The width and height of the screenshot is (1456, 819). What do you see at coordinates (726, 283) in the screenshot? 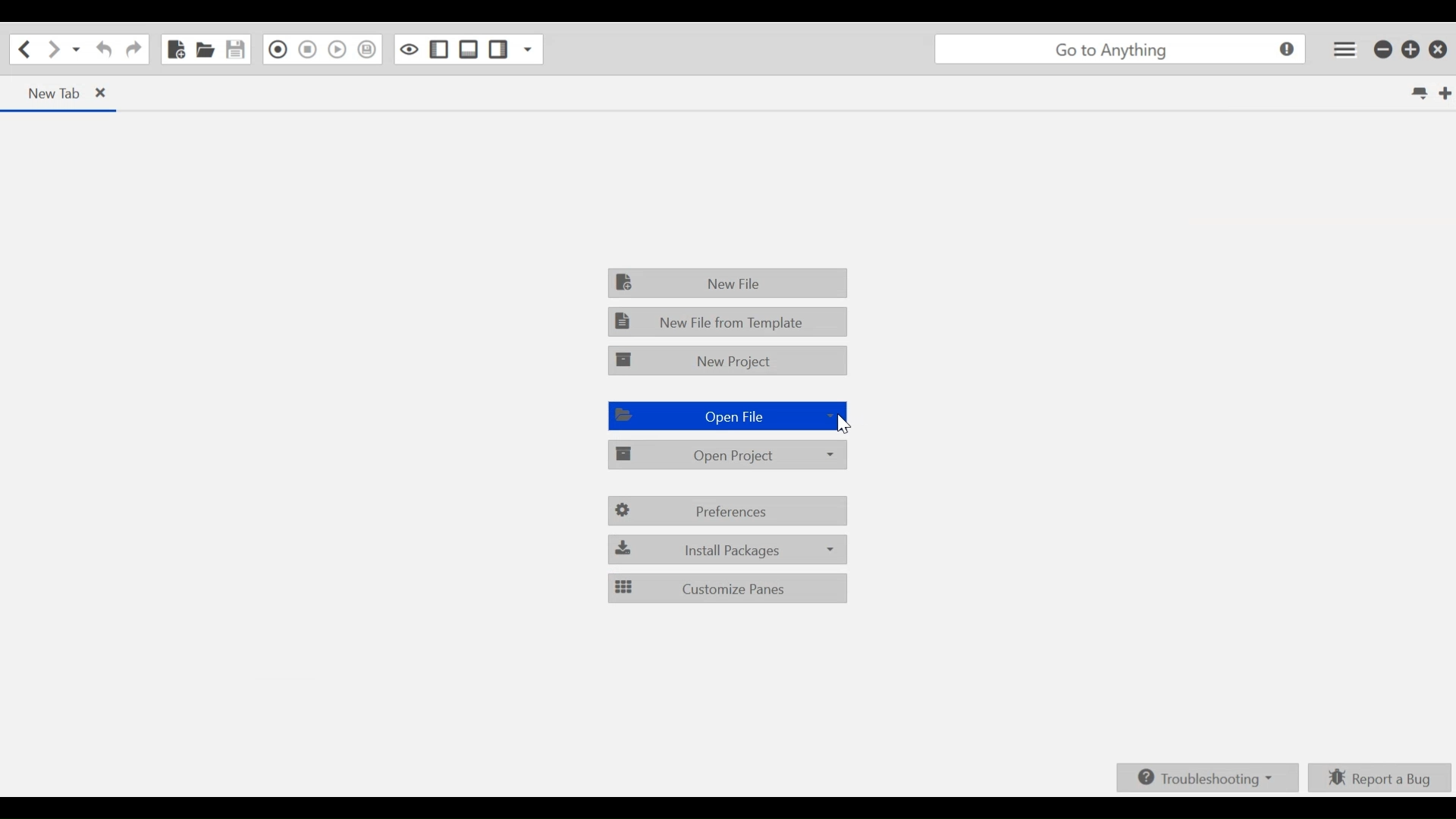
I see `New File` at bounding box center [726, 283].